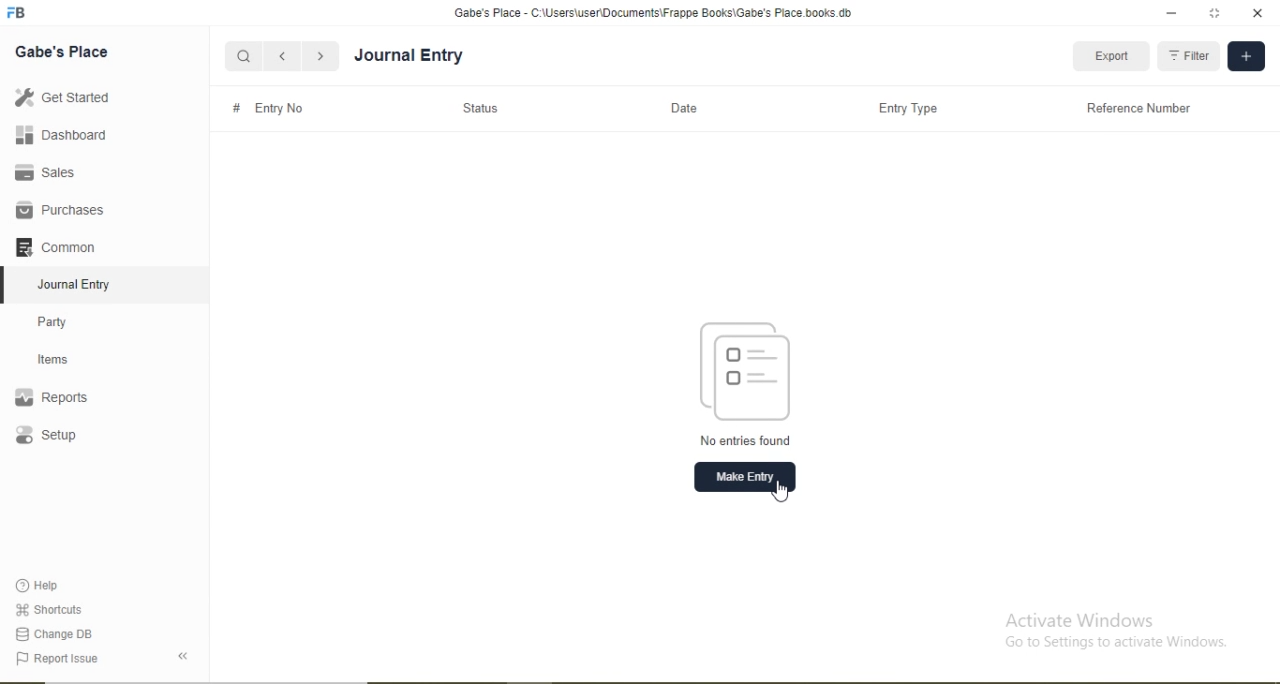 Image resolution: width=1280 pixels, height=684 pixels. I want to click on Entry Type., so click(908, 108).